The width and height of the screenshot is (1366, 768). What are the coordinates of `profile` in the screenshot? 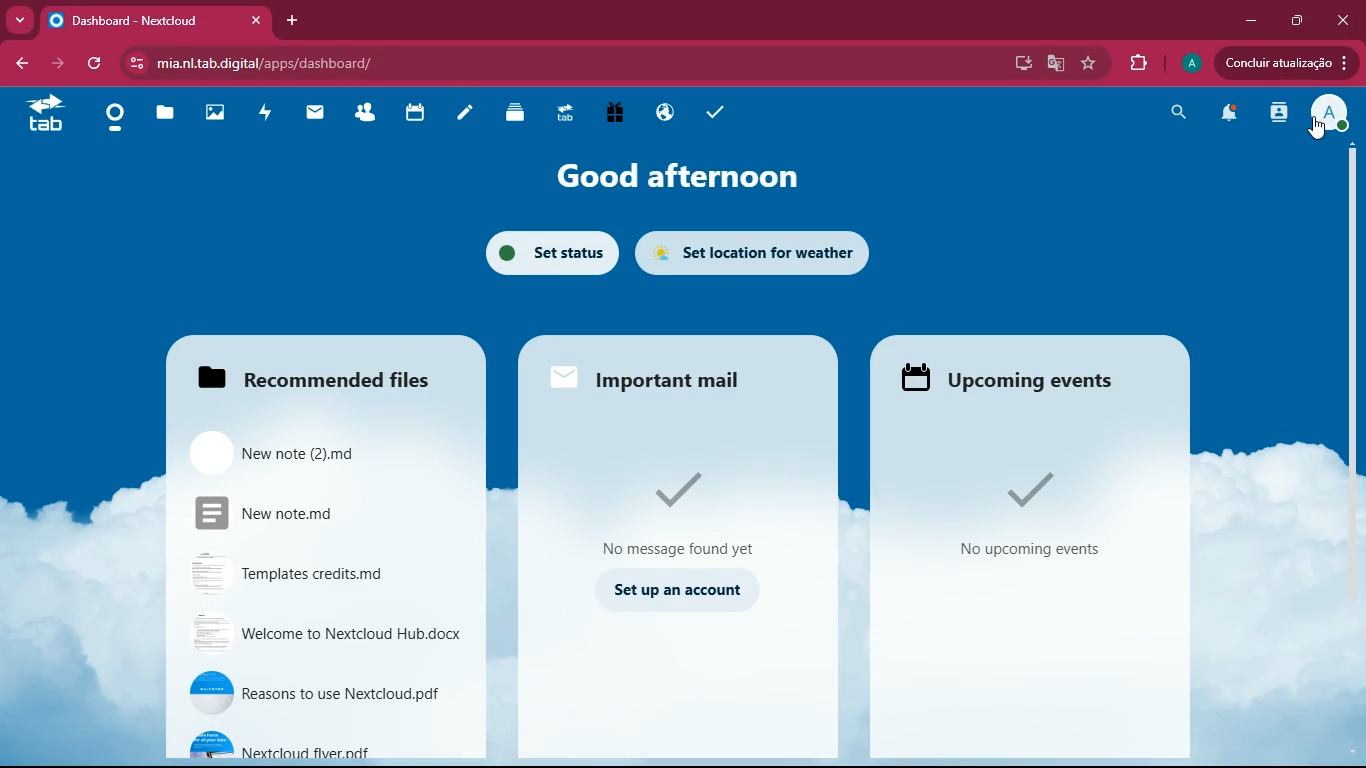 It's located at (1326, 115).